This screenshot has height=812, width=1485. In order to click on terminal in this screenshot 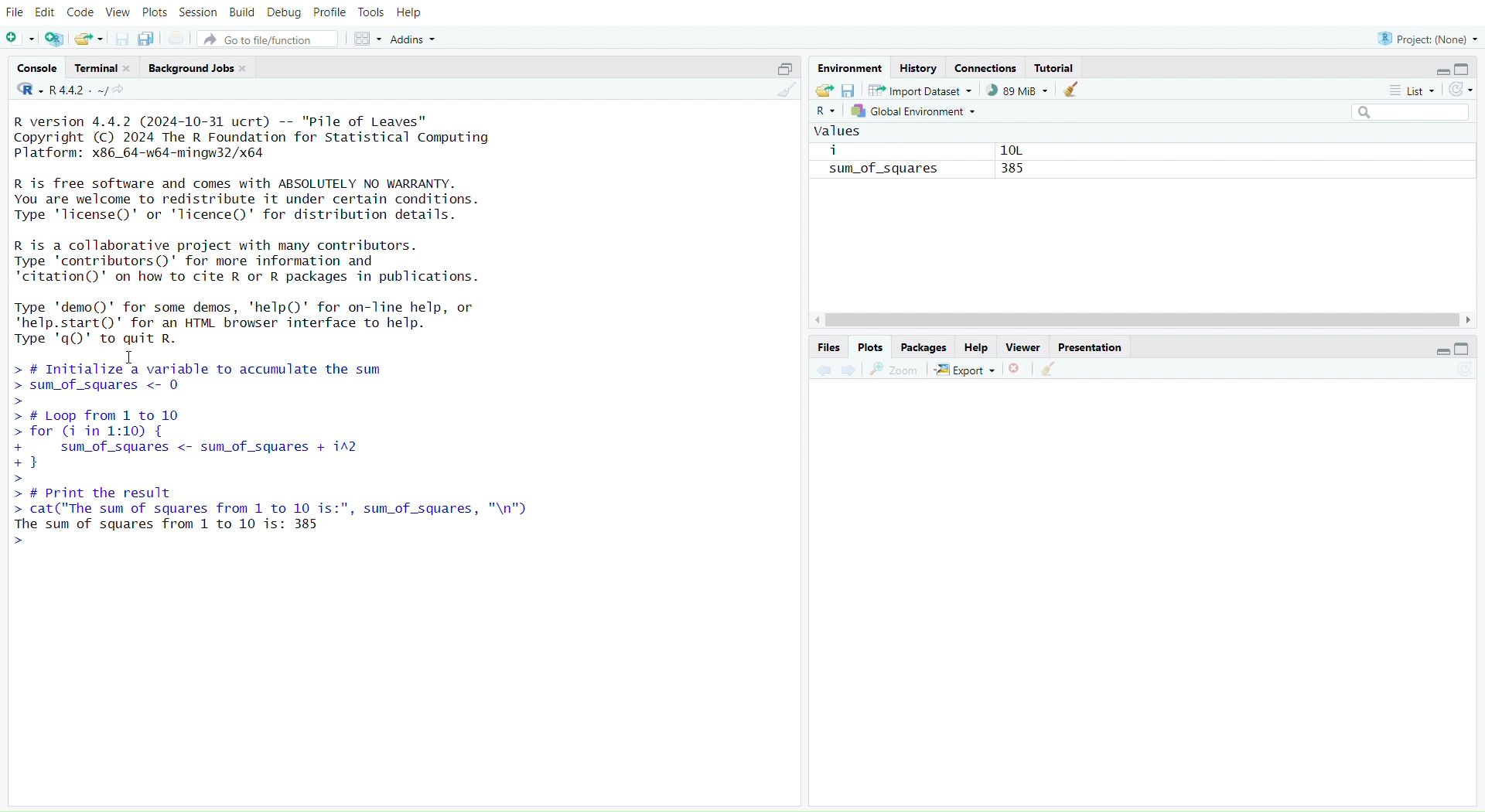, I will do `click(103, 67)`.